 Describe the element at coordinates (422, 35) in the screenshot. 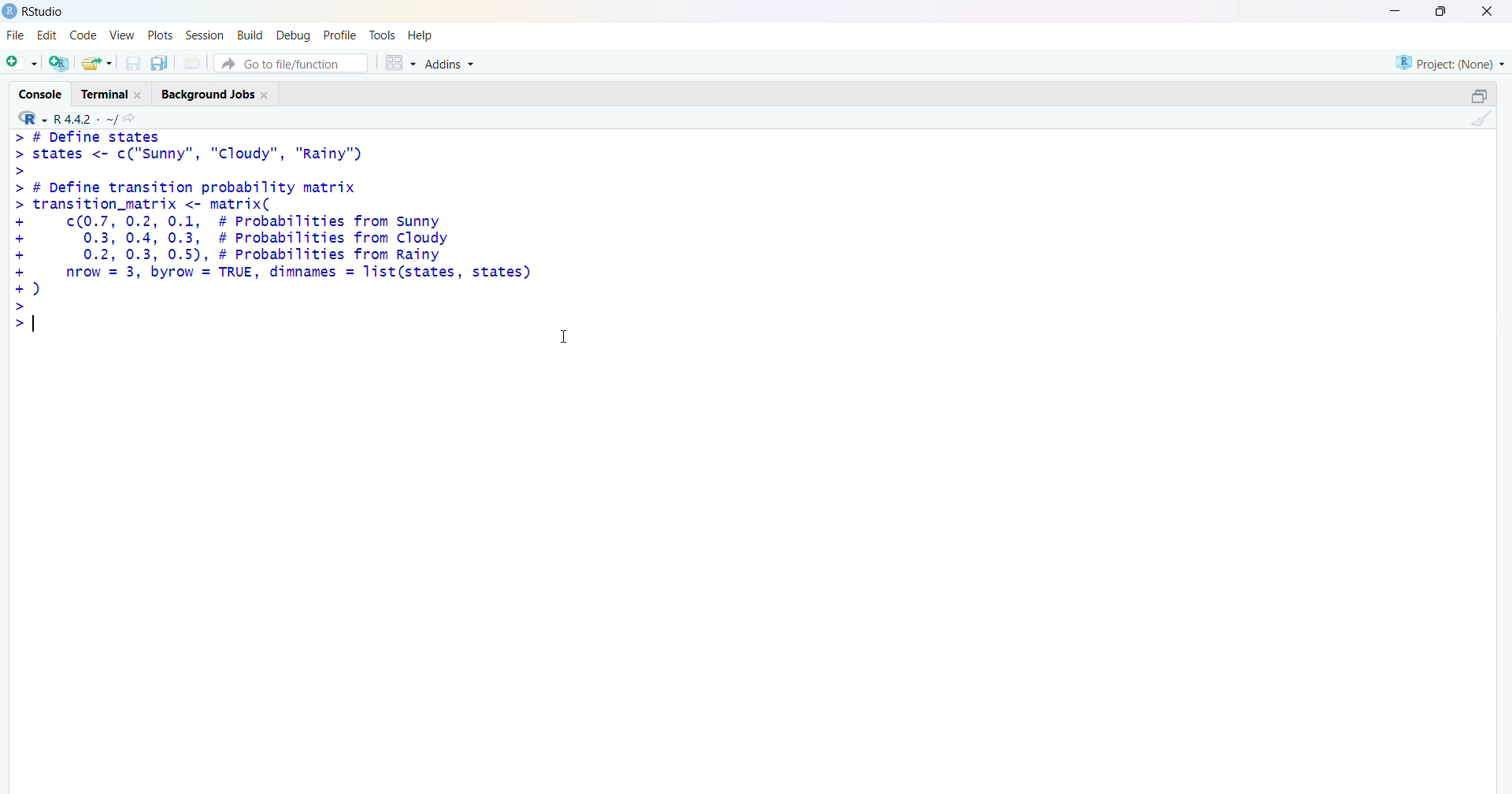

I see `help` at that location.